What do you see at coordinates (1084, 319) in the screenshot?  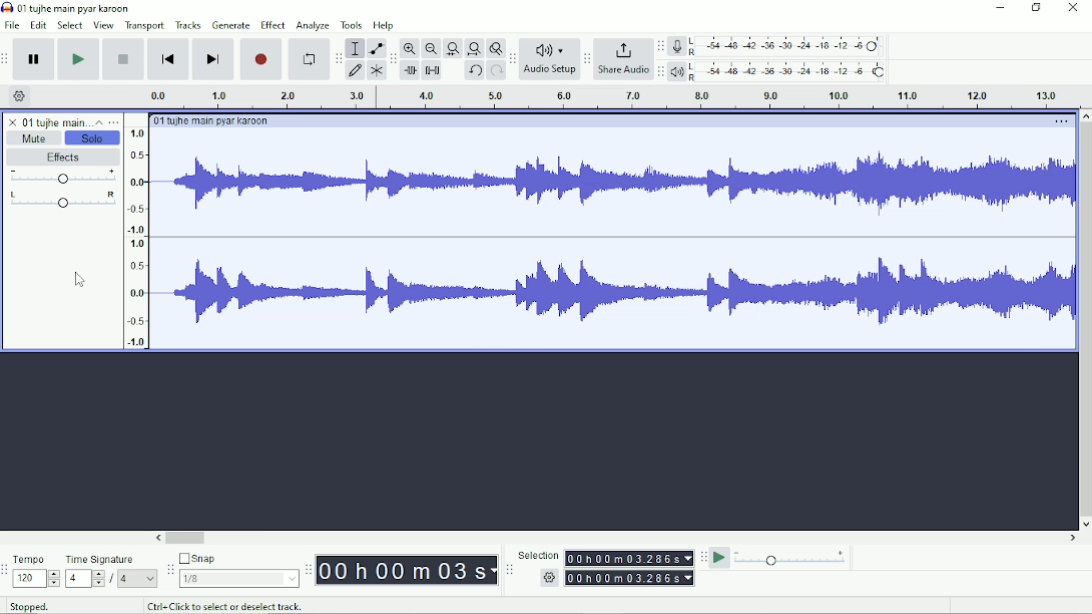 I see `Vertical scrollbar` at bounding box center [1084, 319].